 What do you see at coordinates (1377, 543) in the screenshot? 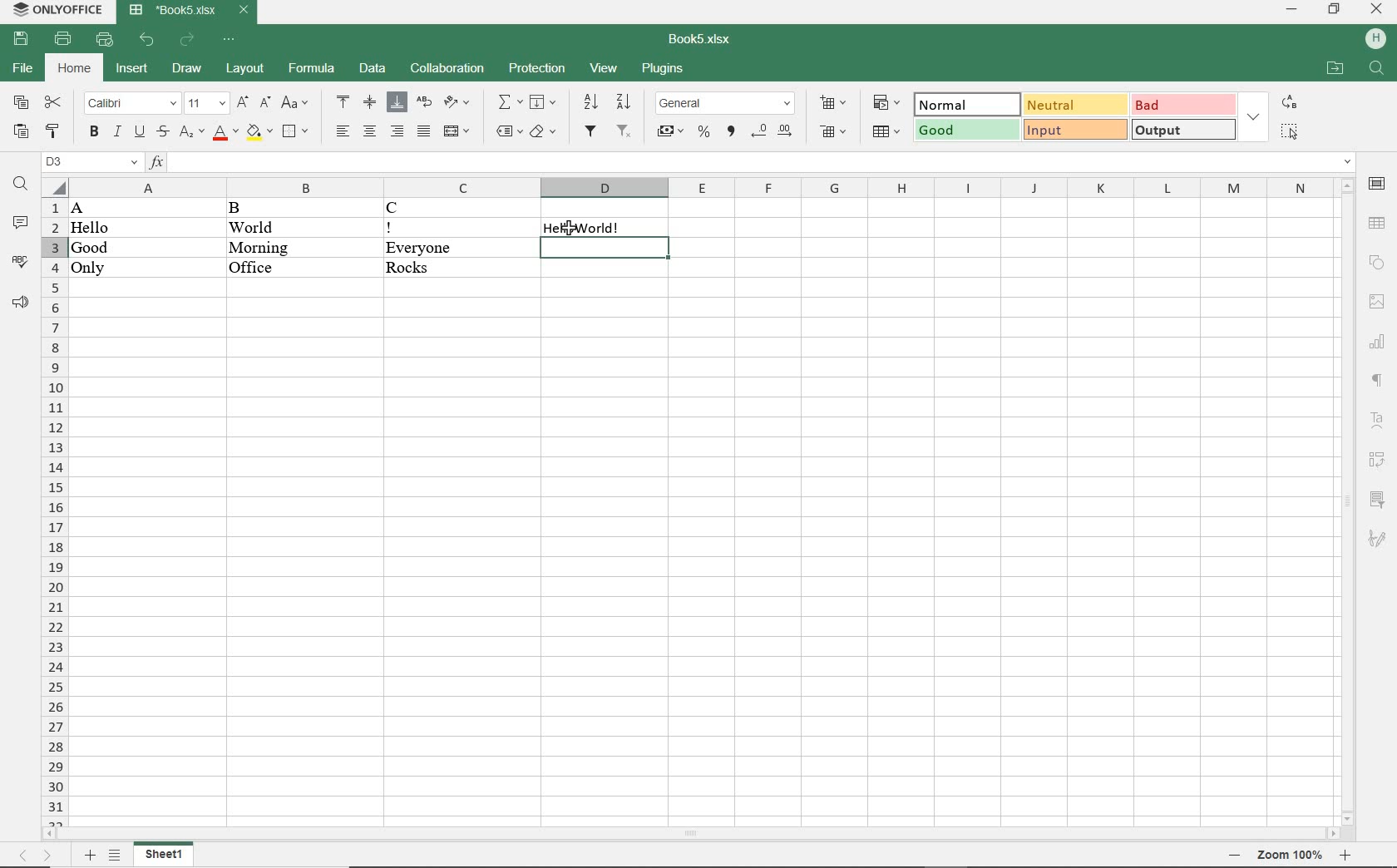
I see `` at bounding box center [1377, 543].